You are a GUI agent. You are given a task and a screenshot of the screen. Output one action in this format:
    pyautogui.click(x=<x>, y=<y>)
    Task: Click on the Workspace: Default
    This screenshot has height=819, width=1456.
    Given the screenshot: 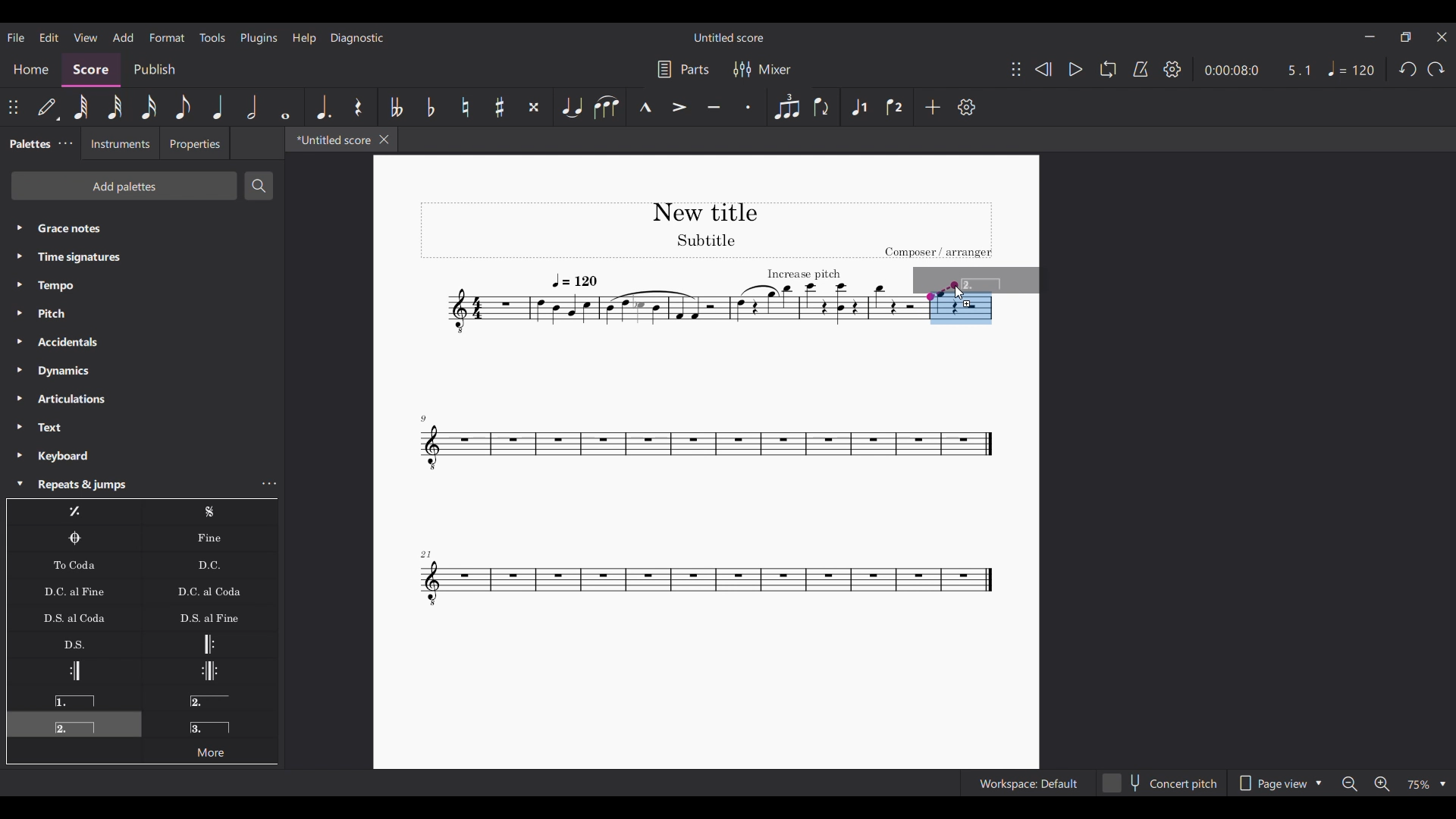 What is the action you would take?
    pyautogui.click(x=1028, y=783)
    